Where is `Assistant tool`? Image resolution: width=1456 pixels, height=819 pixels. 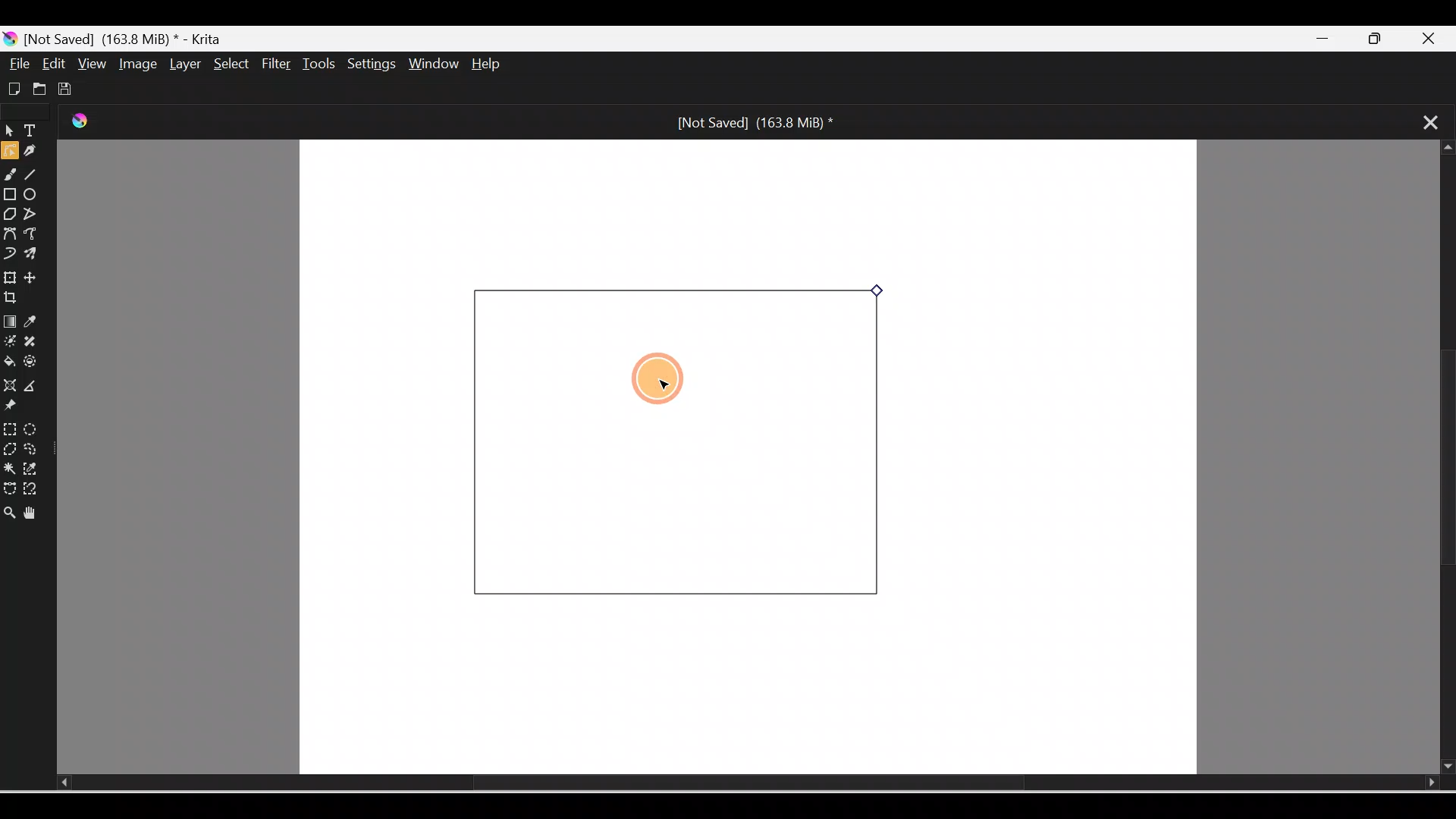
Assistant tool is located at coordinates (9, 385).